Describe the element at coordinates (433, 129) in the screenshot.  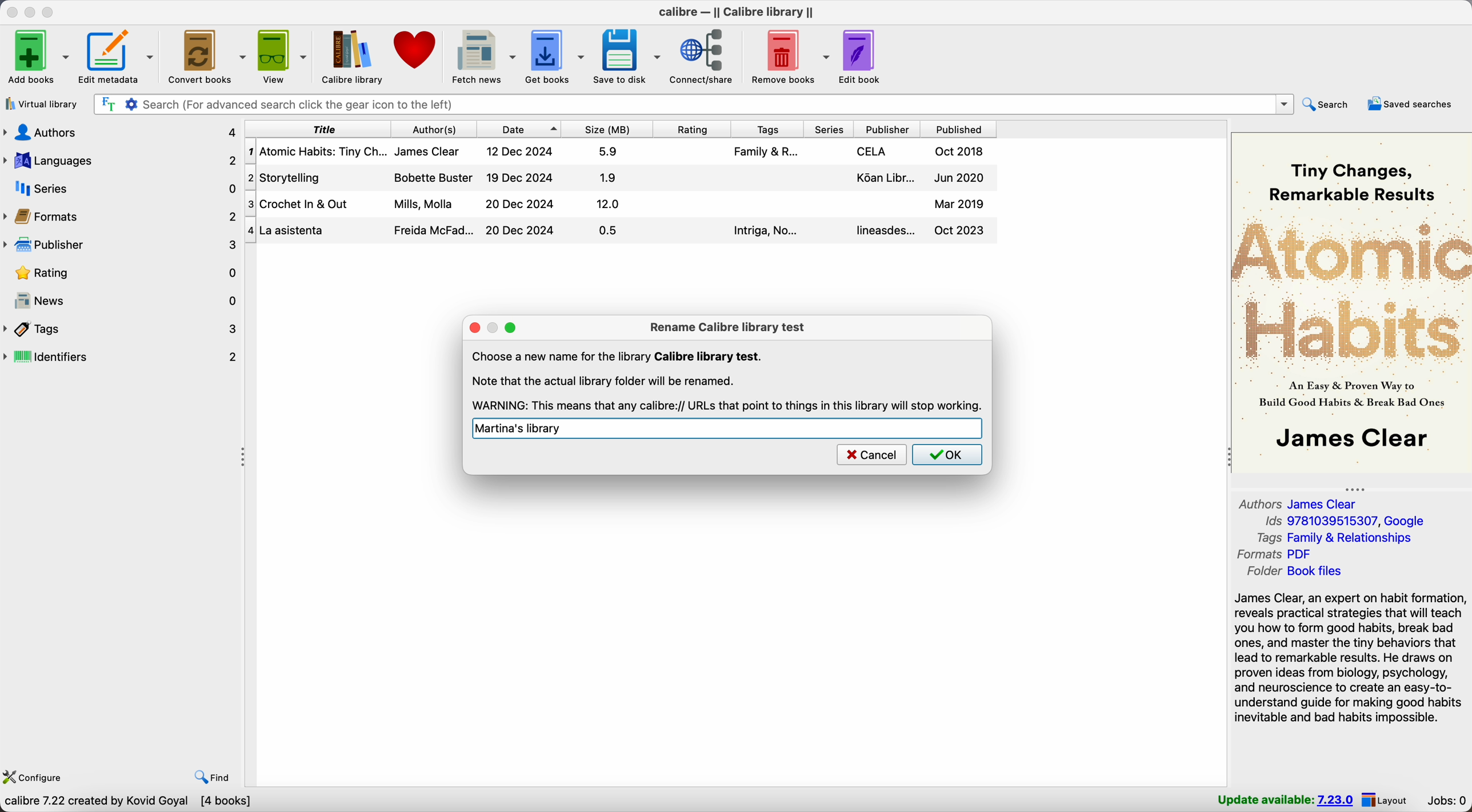
I see `author(s)` at that location.